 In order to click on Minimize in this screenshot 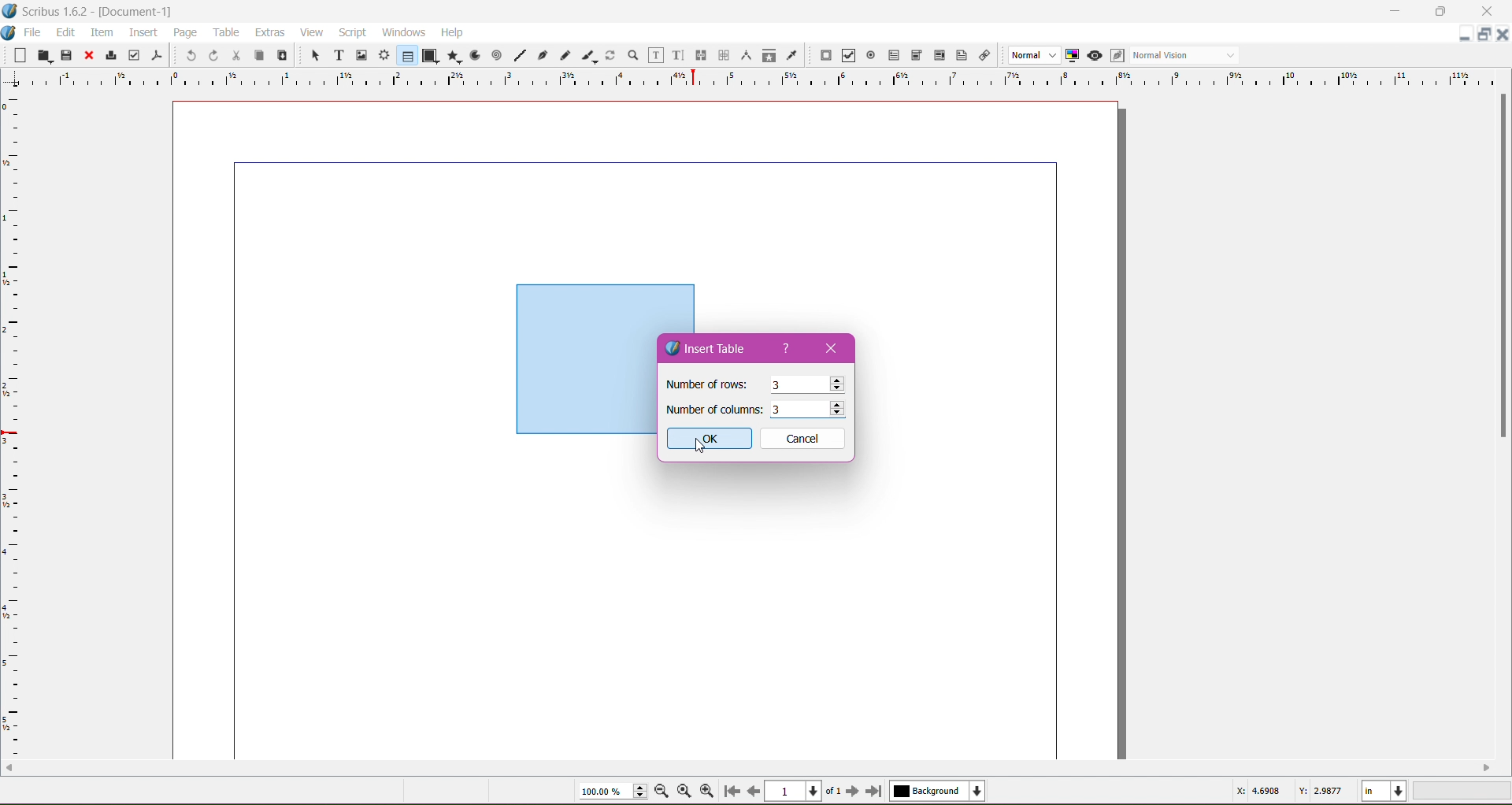, I will do `click(1465, 32)`.